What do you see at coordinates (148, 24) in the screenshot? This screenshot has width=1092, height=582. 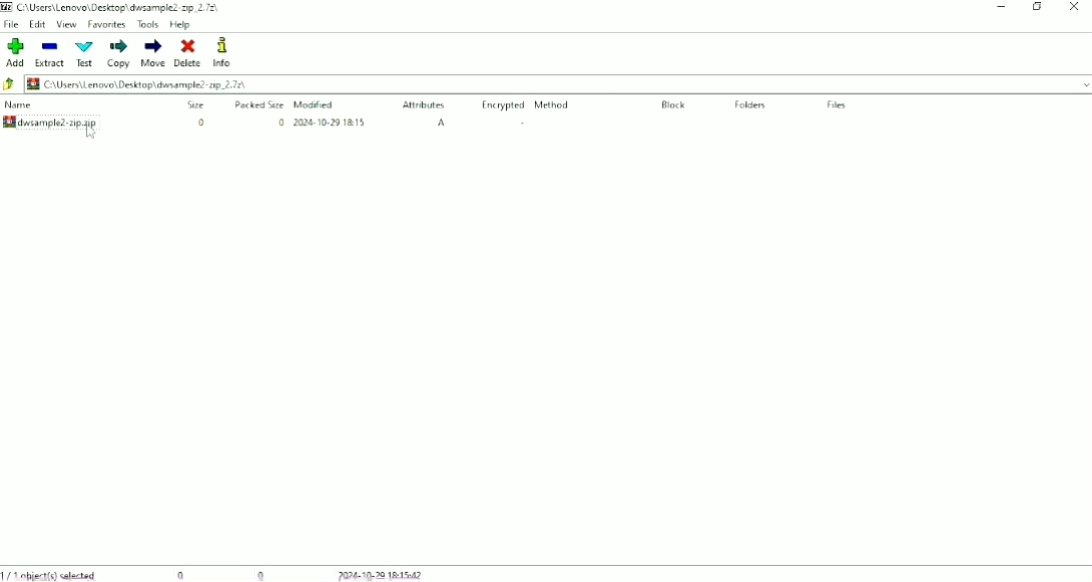 I see `Tools` at bounding box center [148, 24].